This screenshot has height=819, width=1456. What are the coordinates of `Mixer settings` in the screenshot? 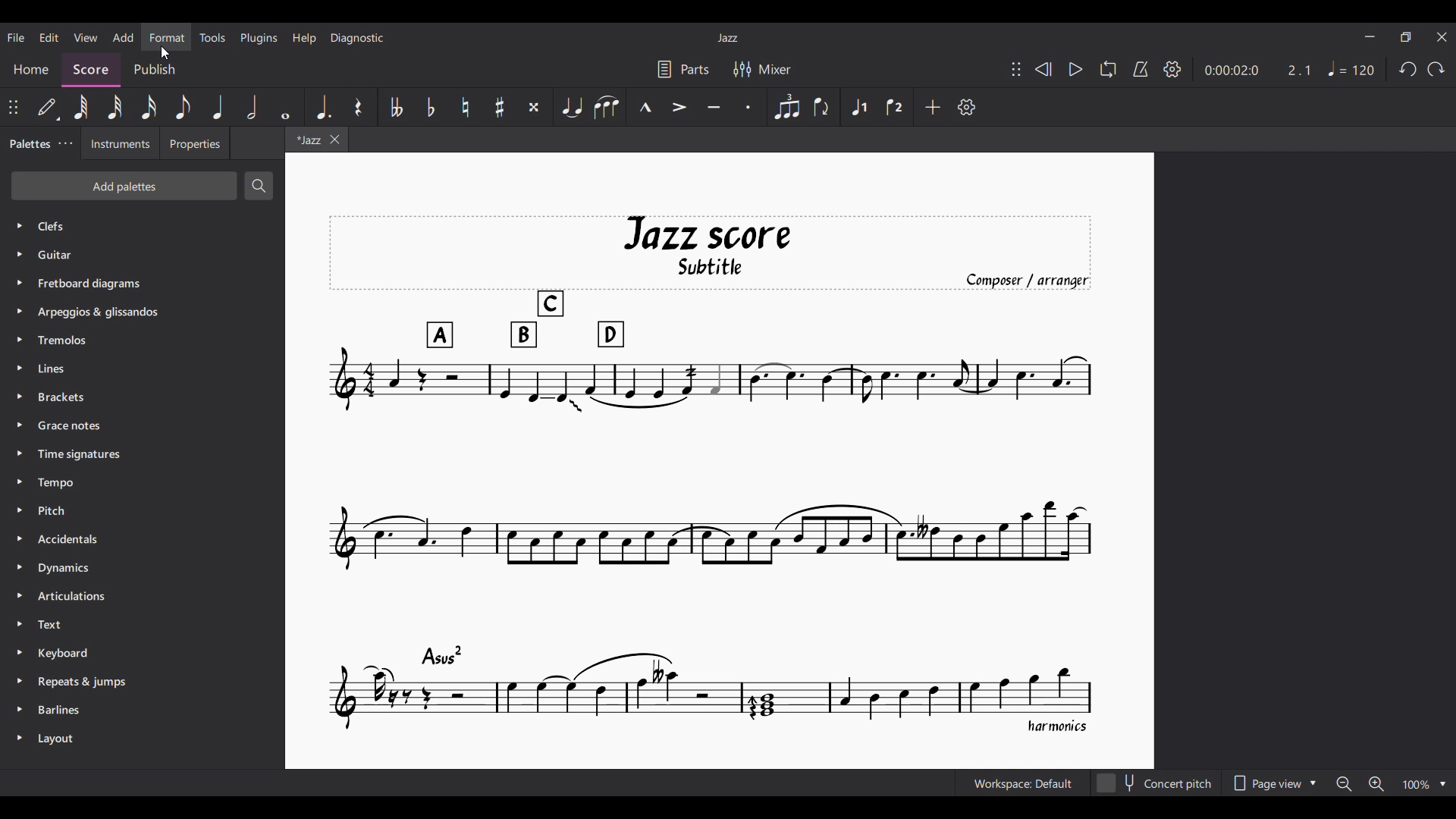 It's located at (761, 68).